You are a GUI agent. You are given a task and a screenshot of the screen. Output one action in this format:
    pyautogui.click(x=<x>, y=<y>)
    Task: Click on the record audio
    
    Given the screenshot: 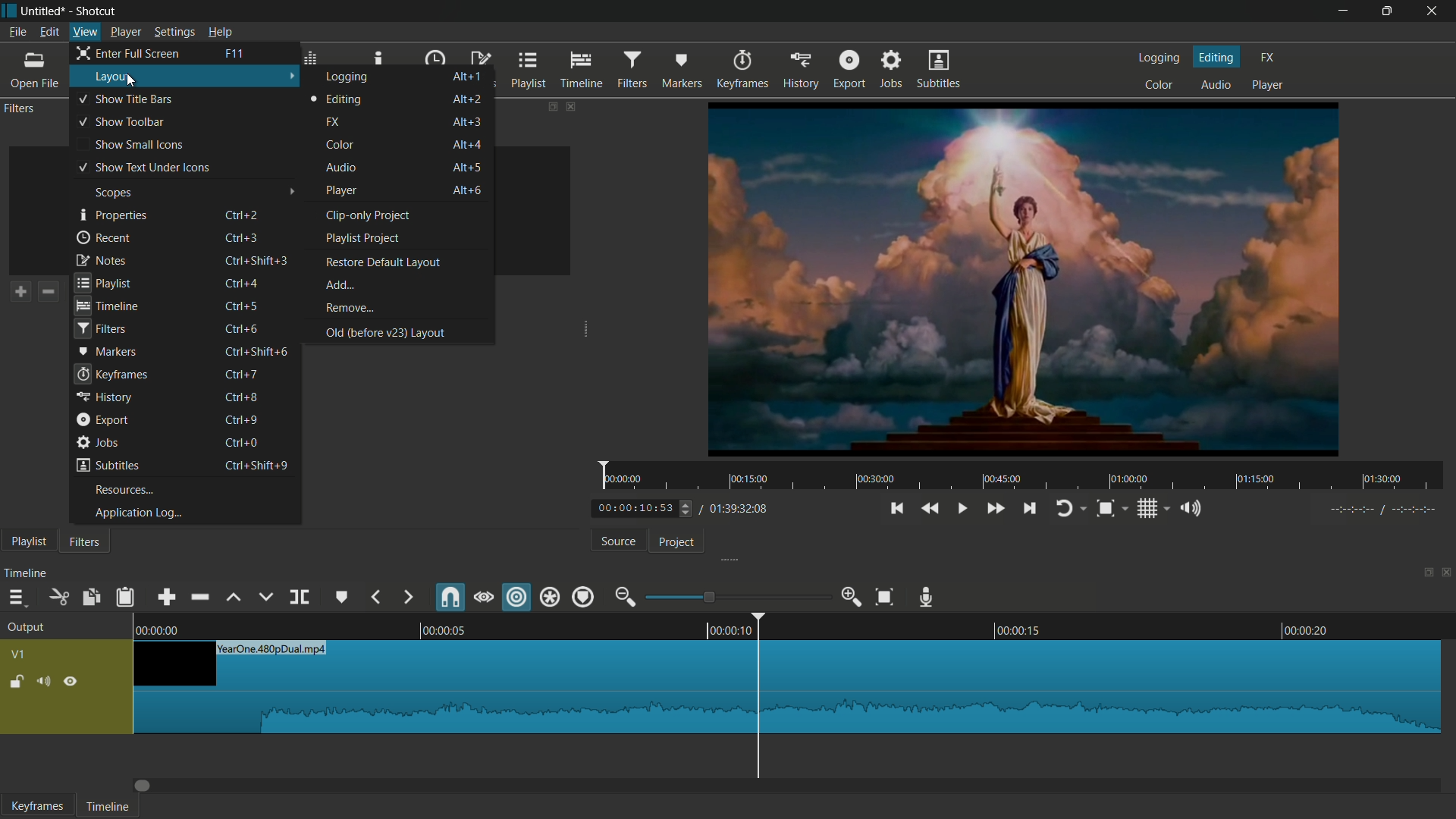 What is the action you would take?
    pyautogui.click(x=929, y=598)
    